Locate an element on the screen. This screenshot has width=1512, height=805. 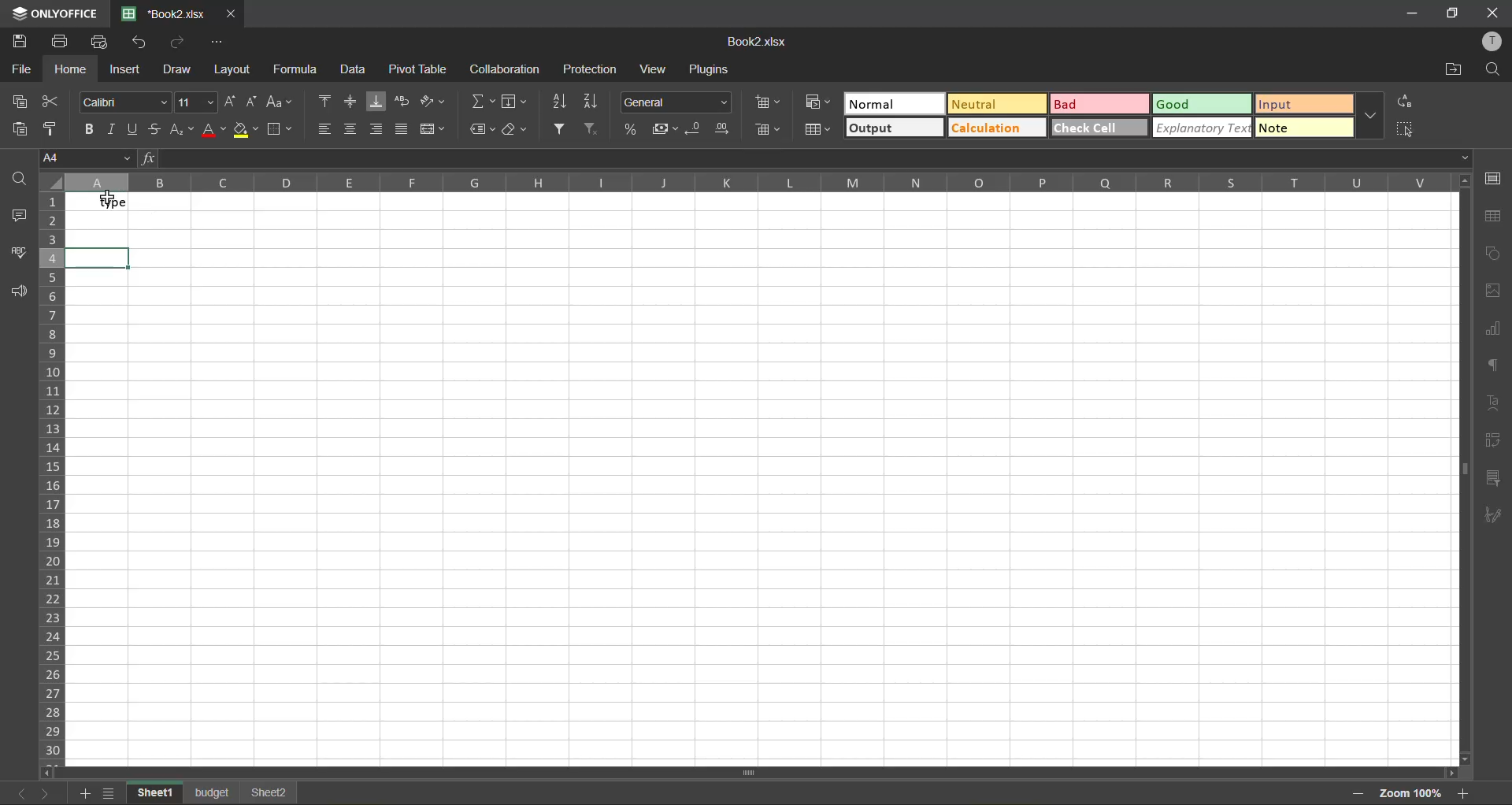
note is located at coordinates (1304, 128).